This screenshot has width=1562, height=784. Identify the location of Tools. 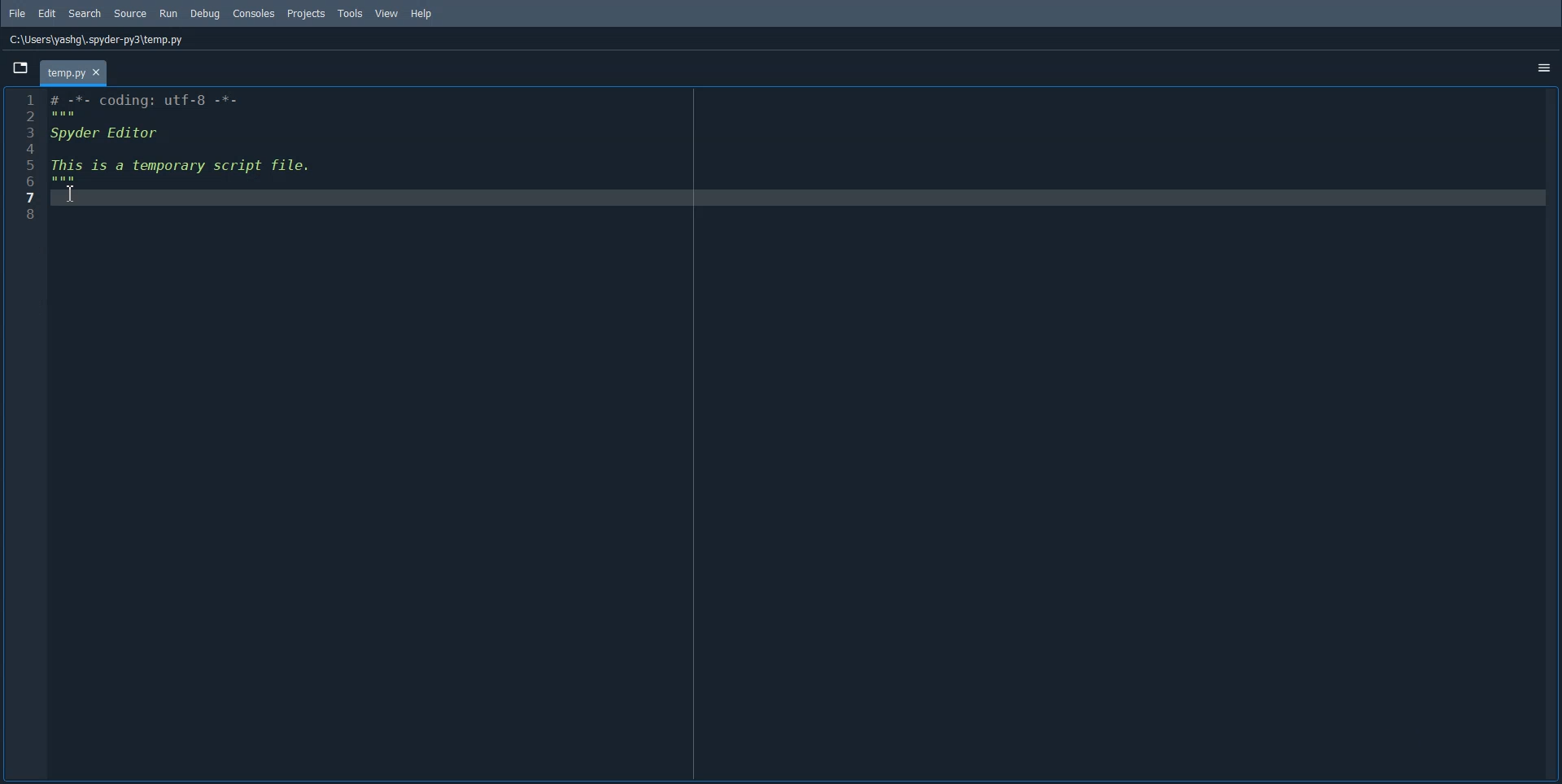
(353, 14).